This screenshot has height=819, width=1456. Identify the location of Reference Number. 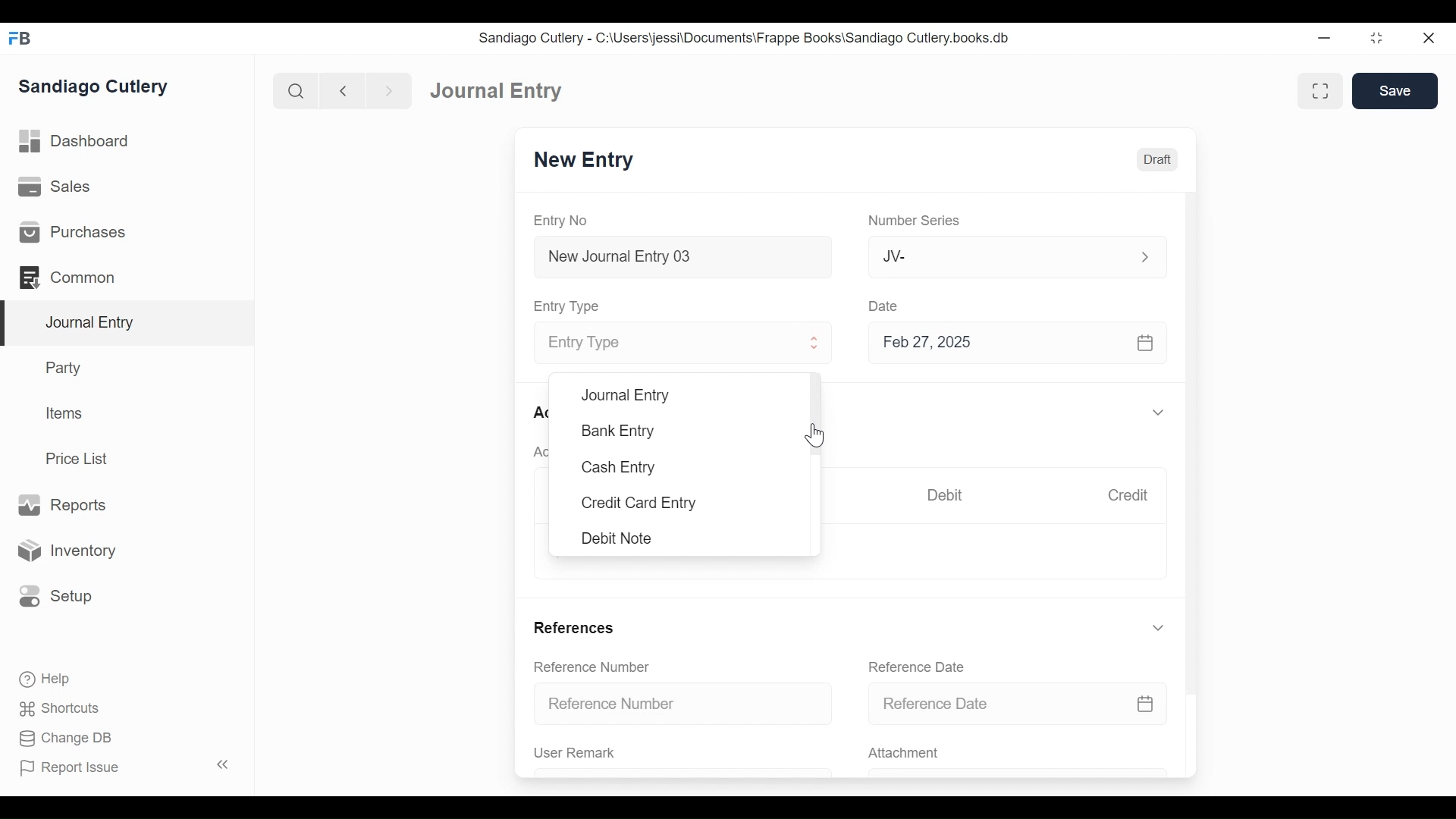
(679, 706).